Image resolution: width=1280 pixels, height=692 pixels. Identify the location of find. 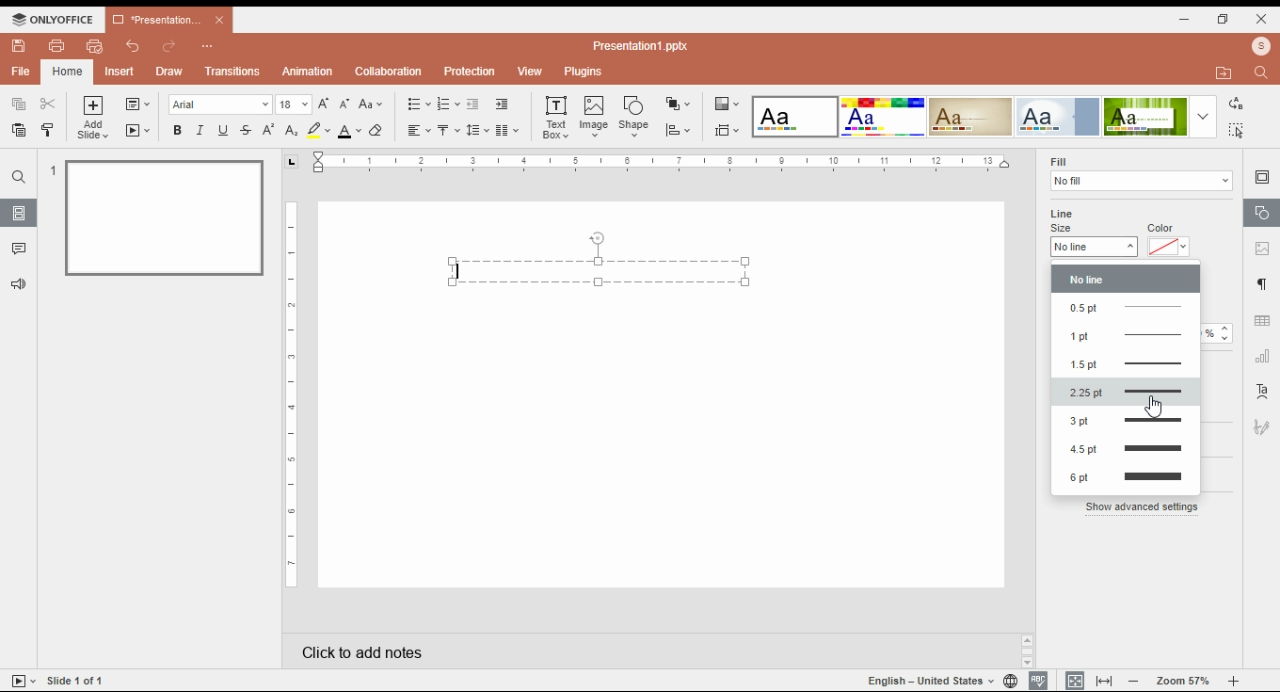
(1238, 130).